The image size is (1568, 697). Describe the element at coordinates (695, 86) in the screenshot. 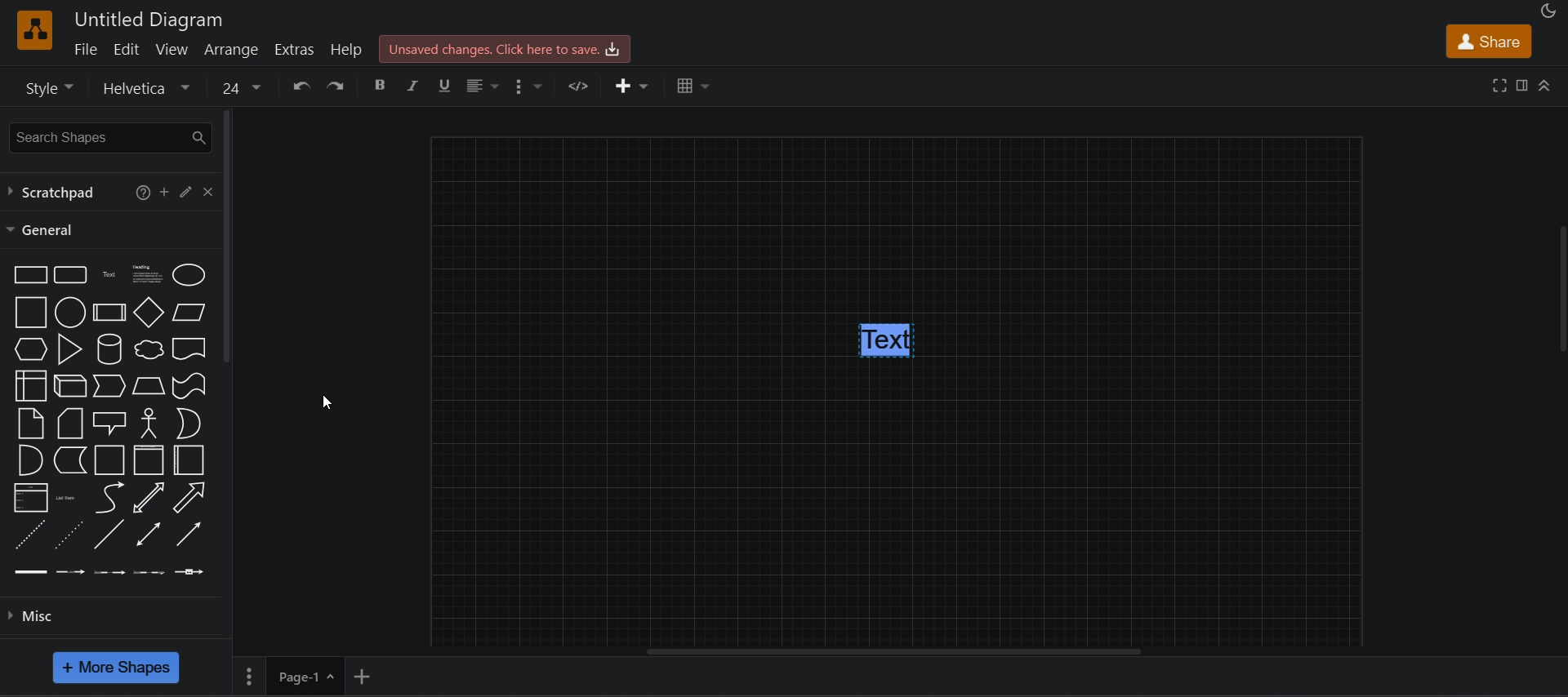

I see `table` at that location.